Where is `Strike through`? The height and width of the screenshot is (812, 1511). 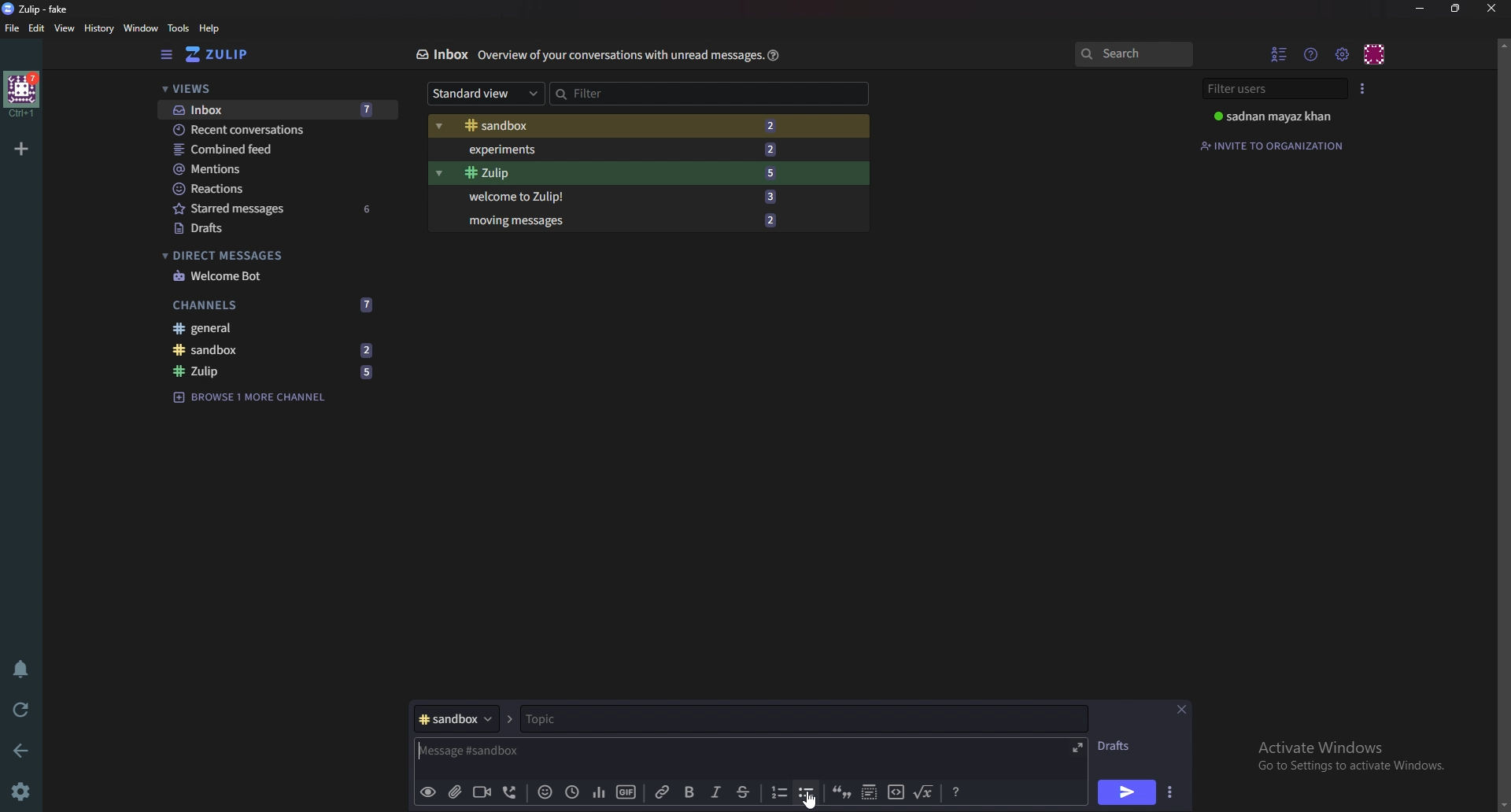 Strike through is located at coordinates (743, 792).